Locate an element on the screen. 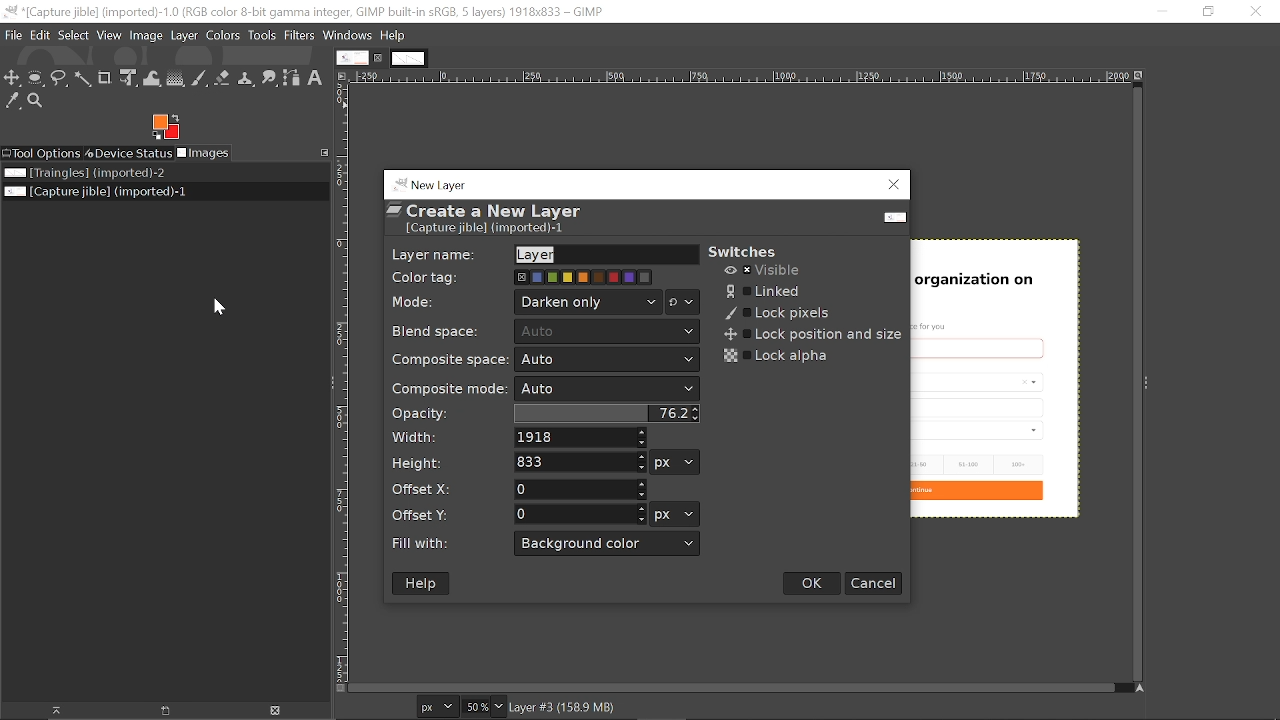 The width and height of the screenshot is (1280, 720). Side bar menu is located at coordinates (1148, 383).